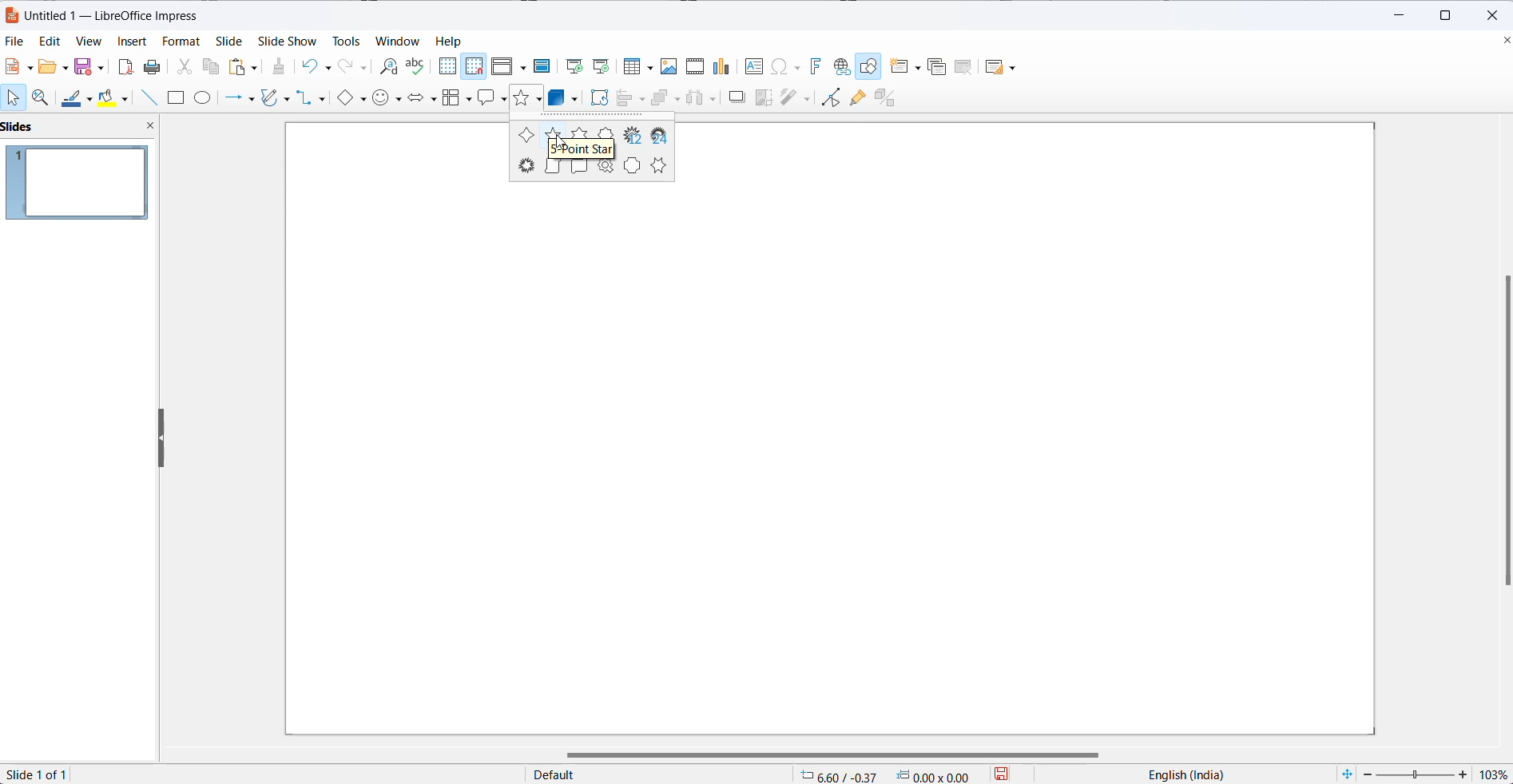  What do you see at coordinates (280, 66) in the screenshot?
I see `clone formatting` at bounding box center [280, 66].